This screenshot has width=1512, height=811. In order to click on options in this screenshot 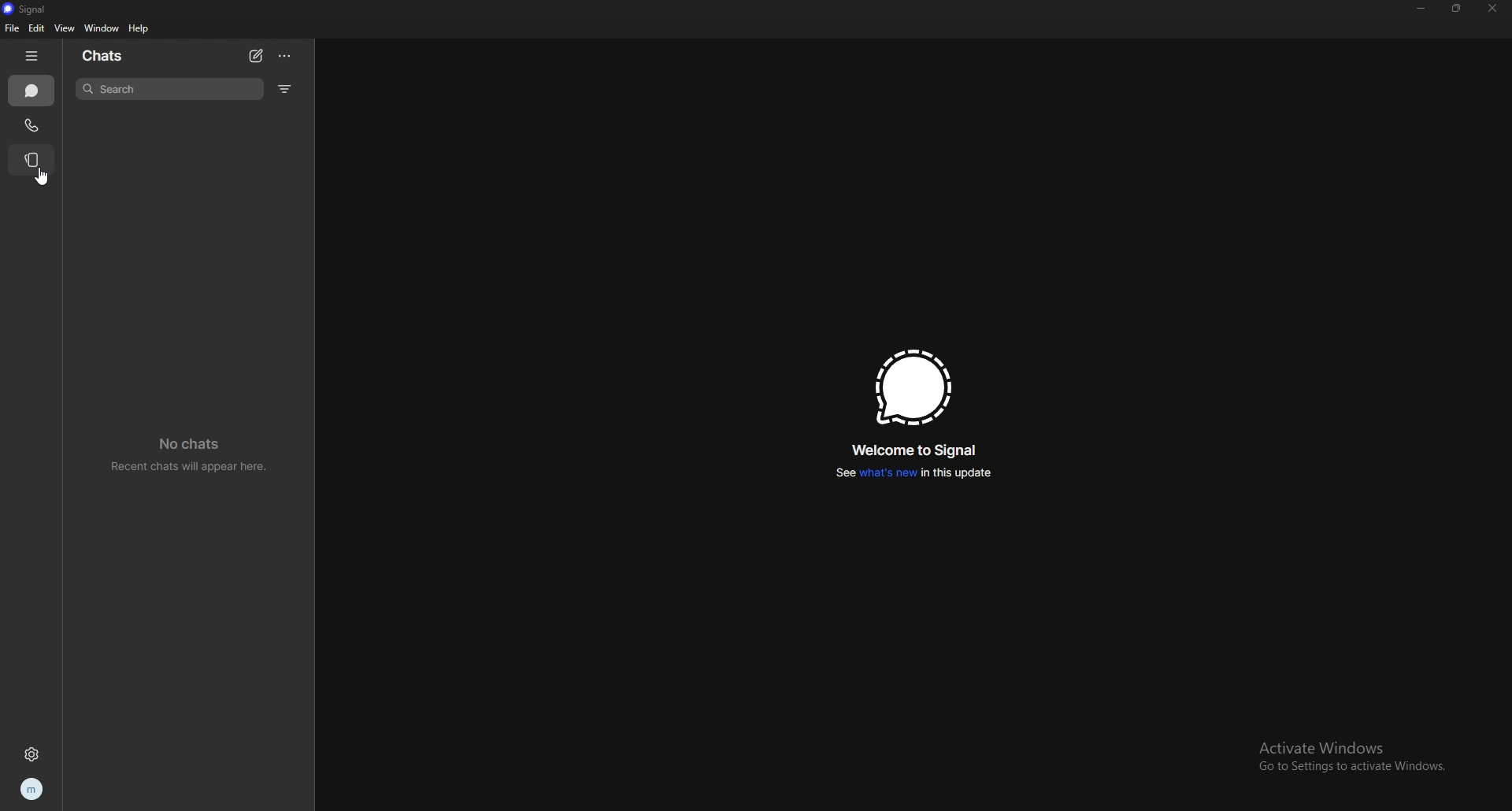, I will do `click(287, 57)`.